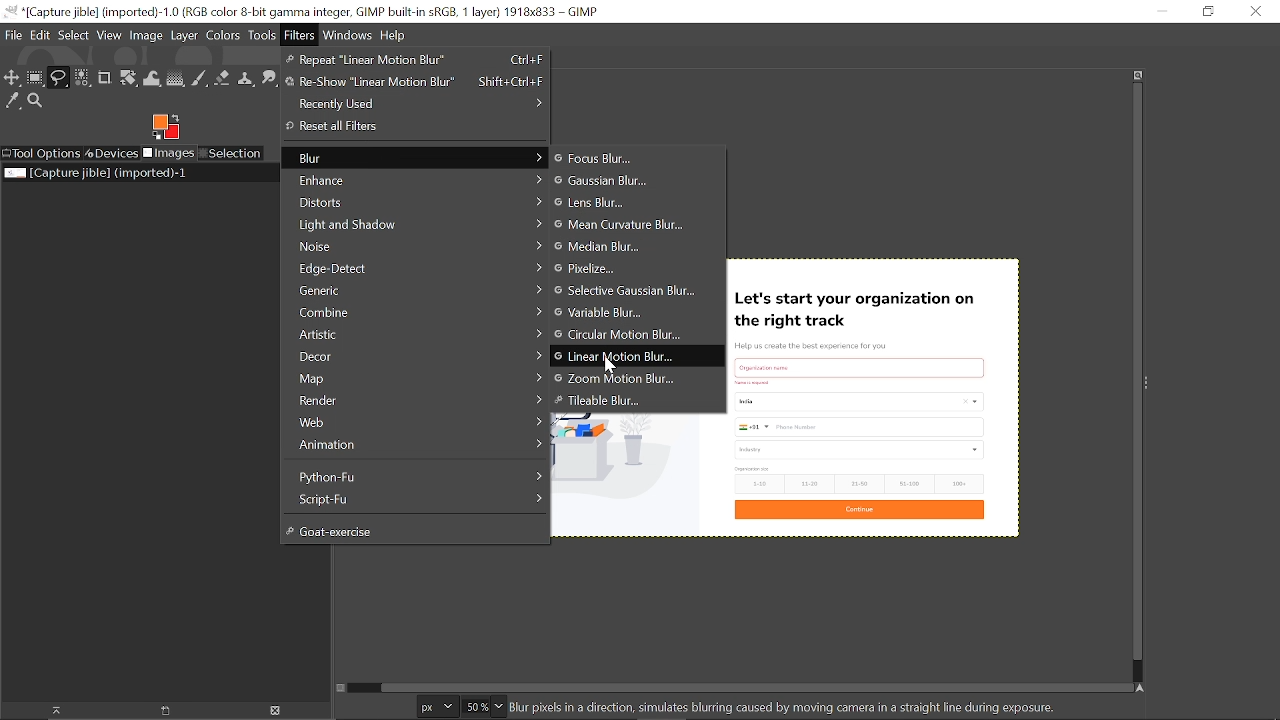 The height and width of the screenshot is (720, 1280). I want to click on Python-Fu, so click(414, 475).